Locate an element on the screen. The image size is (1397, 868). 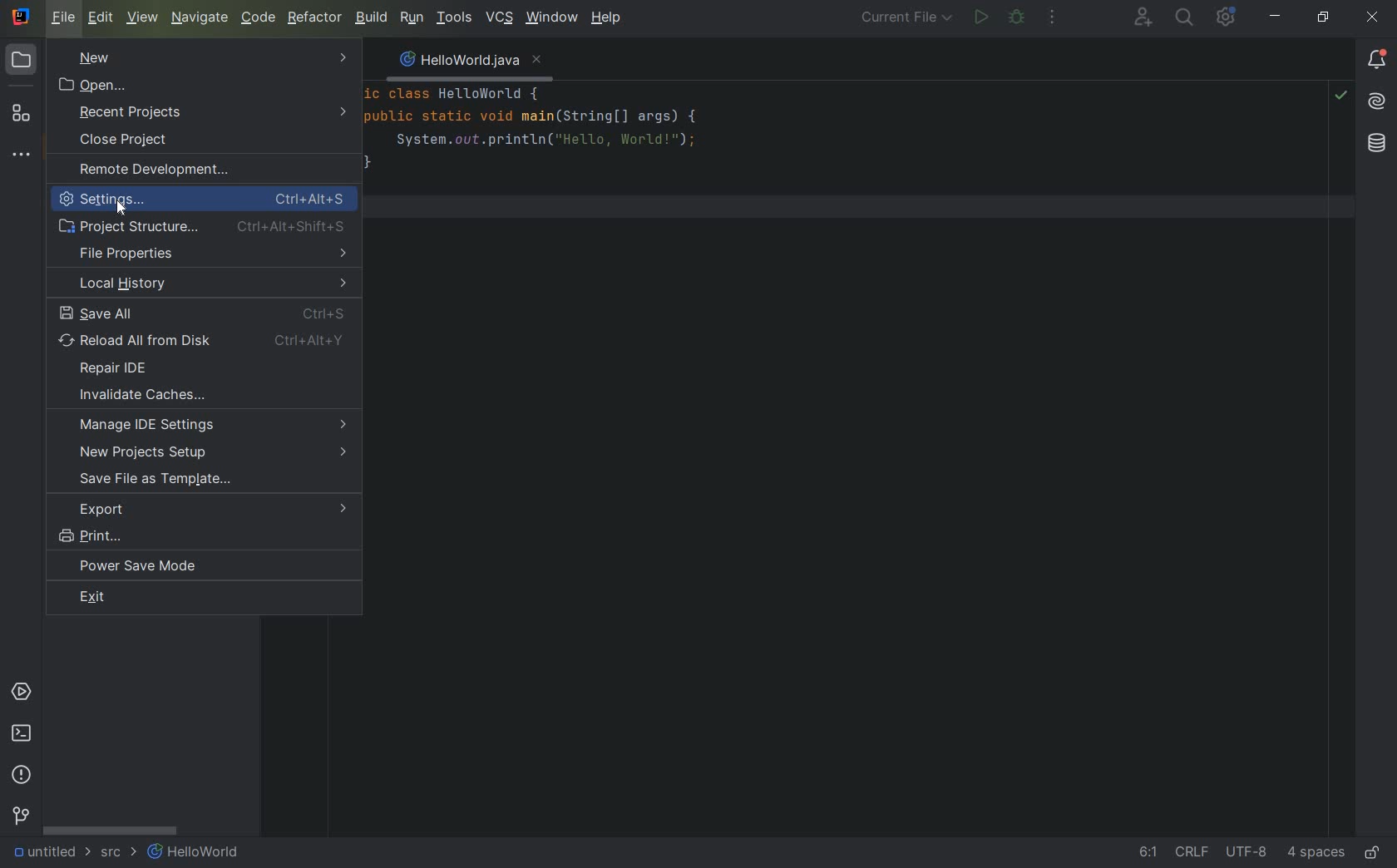
AI Assistant is located at coordinates (1376, 101).